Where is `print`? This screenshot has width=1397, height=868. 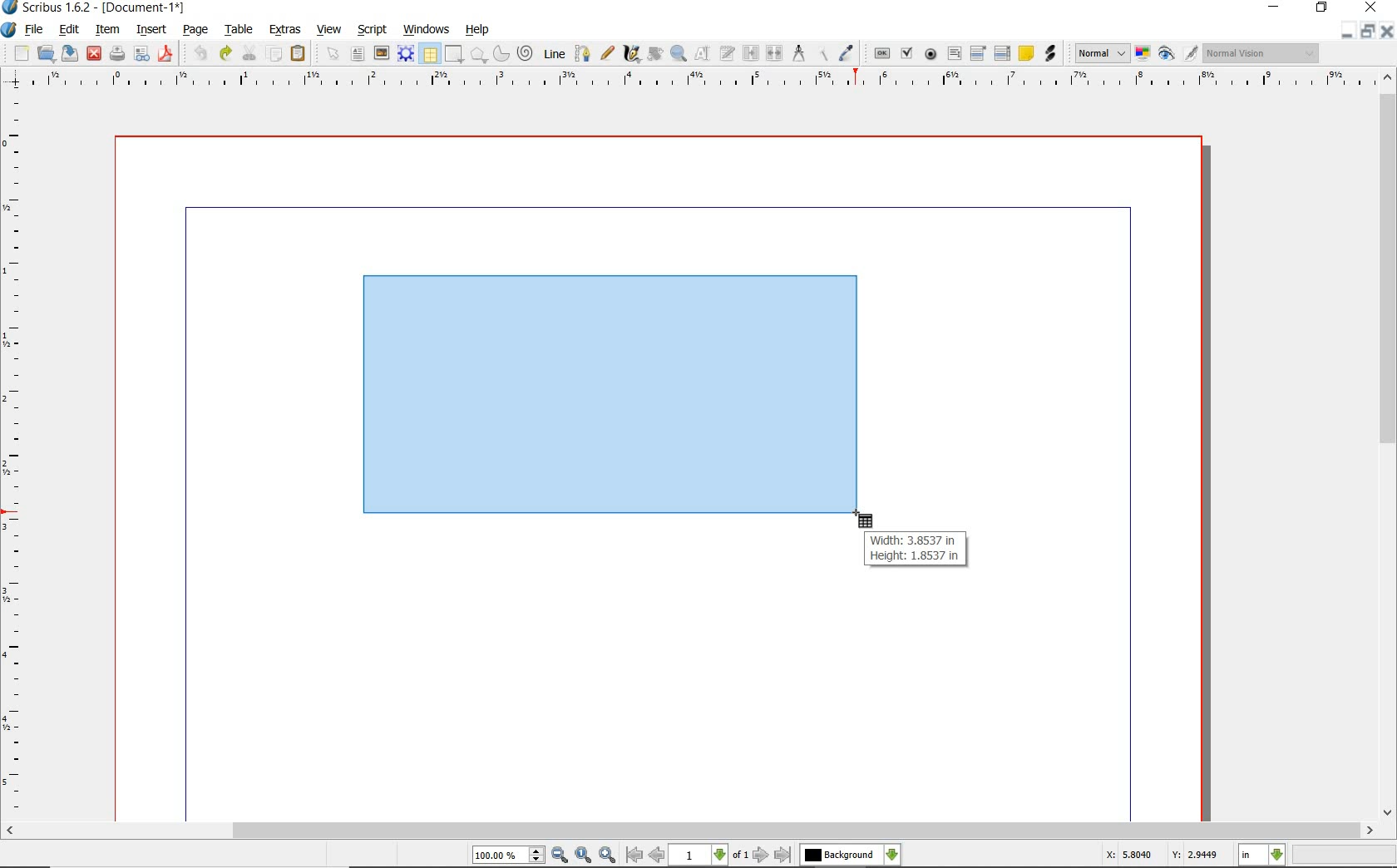
print is located at coordinates (116, 53).